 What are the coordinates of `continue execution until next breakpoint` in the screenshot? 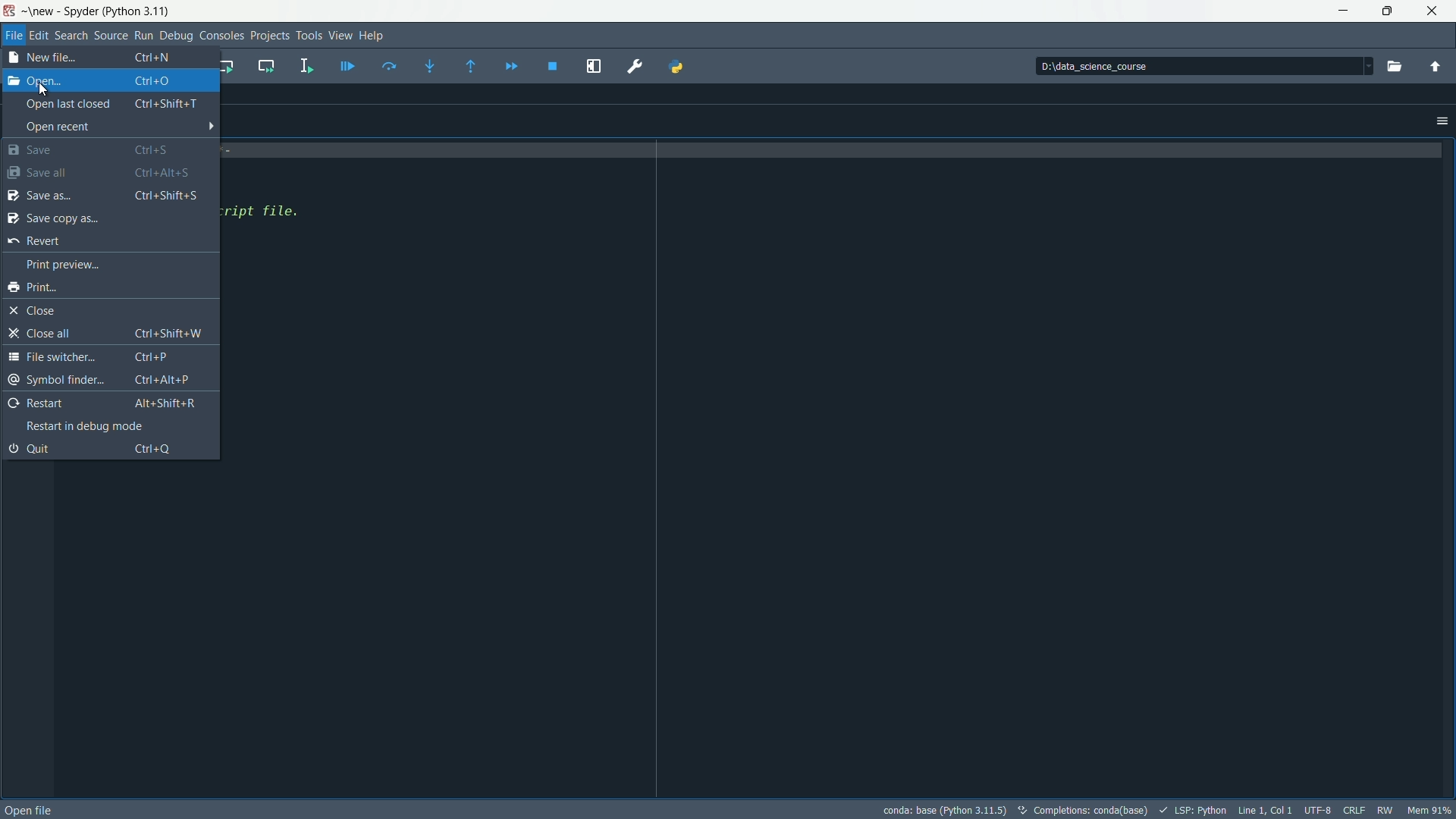 It's located at (513, 65).